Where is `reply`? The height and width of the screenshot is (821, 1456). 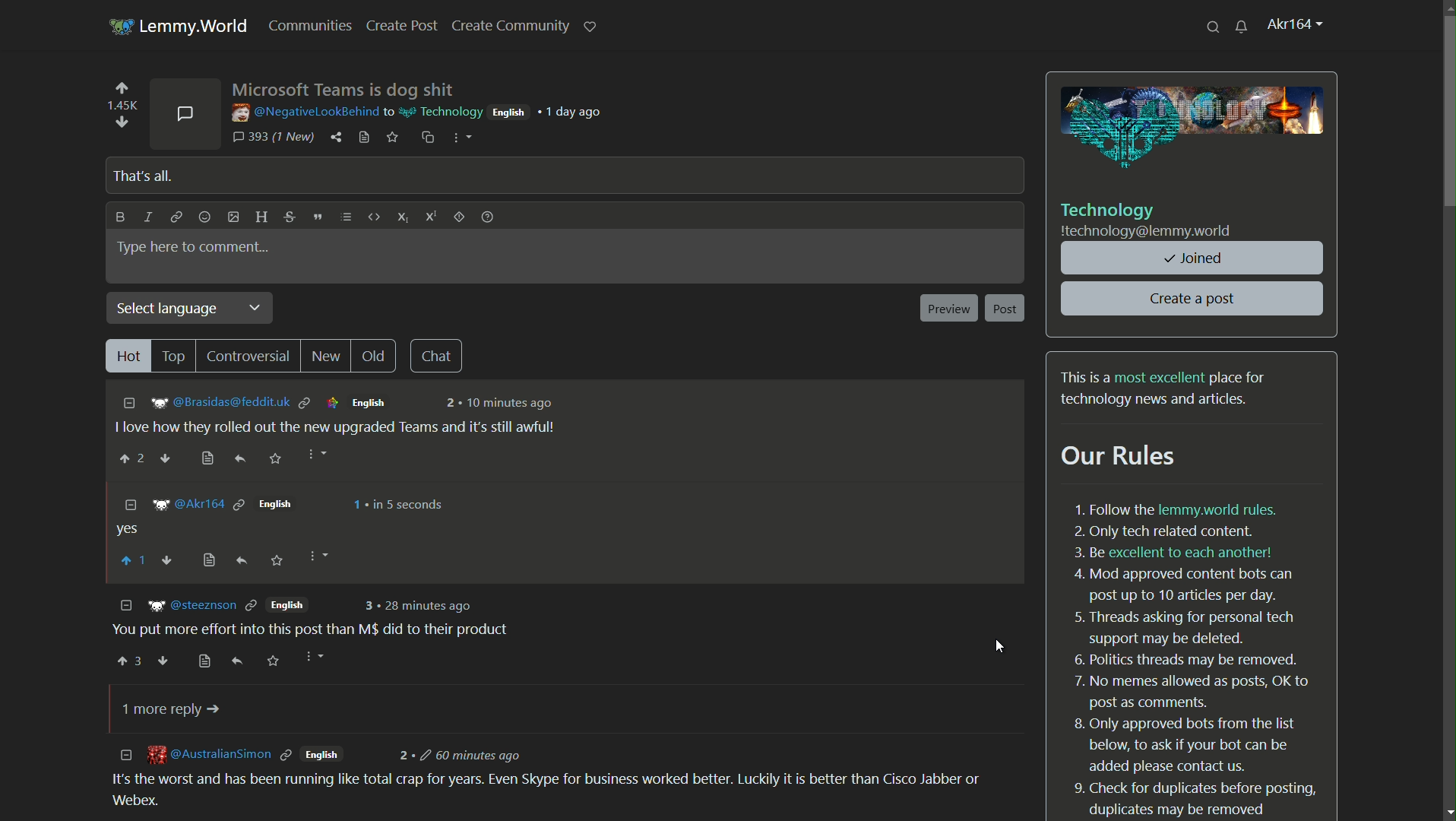 reply is located at coordinates (240, 458).